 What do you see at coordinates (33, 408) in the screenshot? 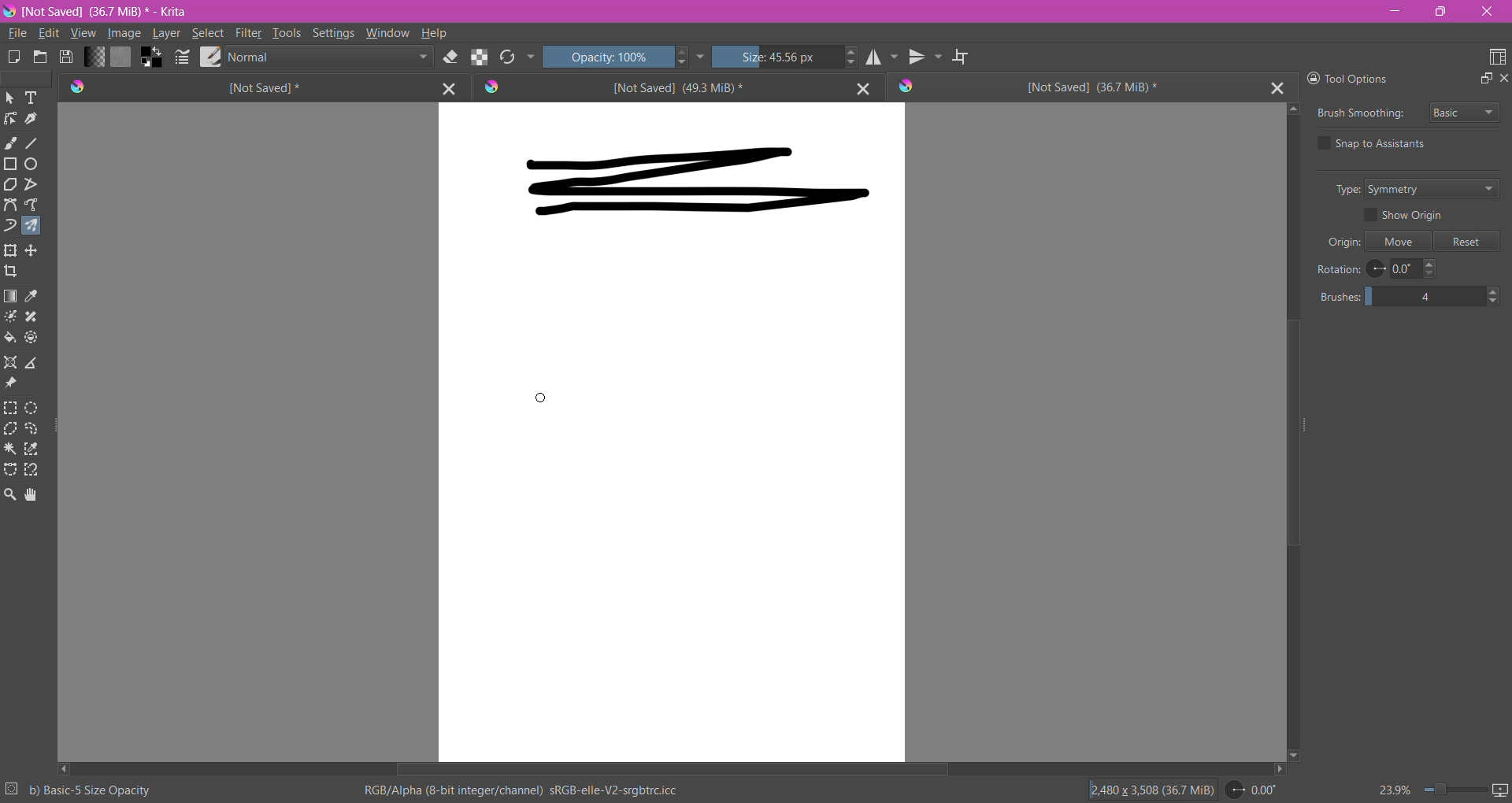
I see `Elliptical Selection Tool` at bounding box center [33, 408].